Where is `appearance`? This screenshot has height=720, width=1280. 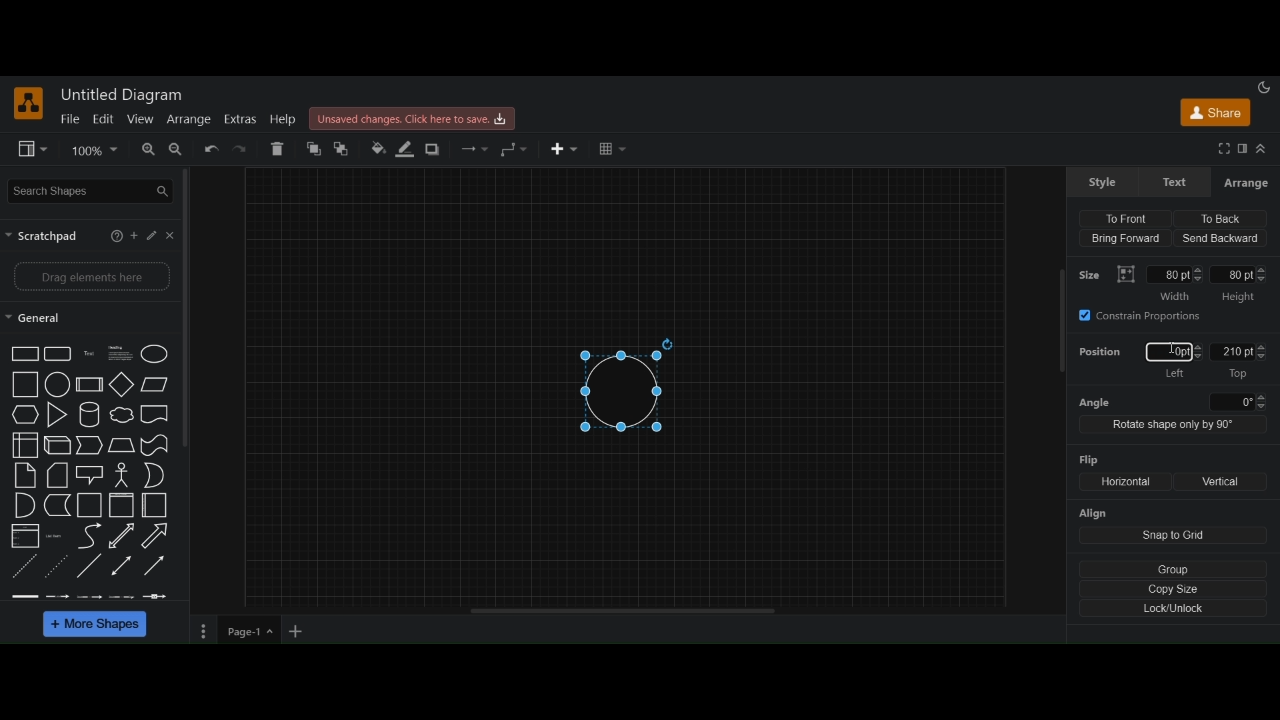
appearance is located at coordinates (1264, 86).